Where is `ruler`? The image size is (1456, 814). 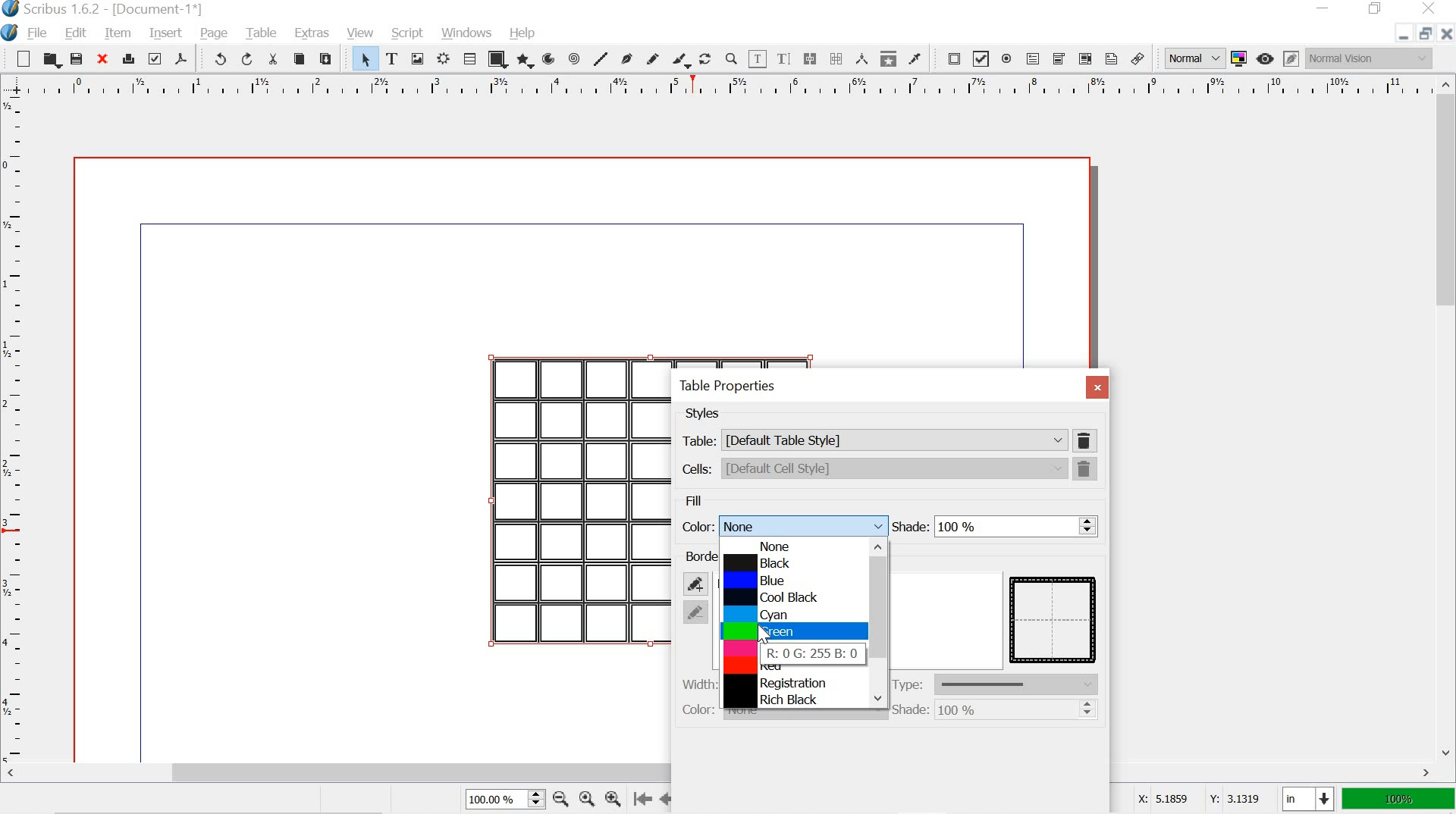 ruler is located at coordinates (717, 86).